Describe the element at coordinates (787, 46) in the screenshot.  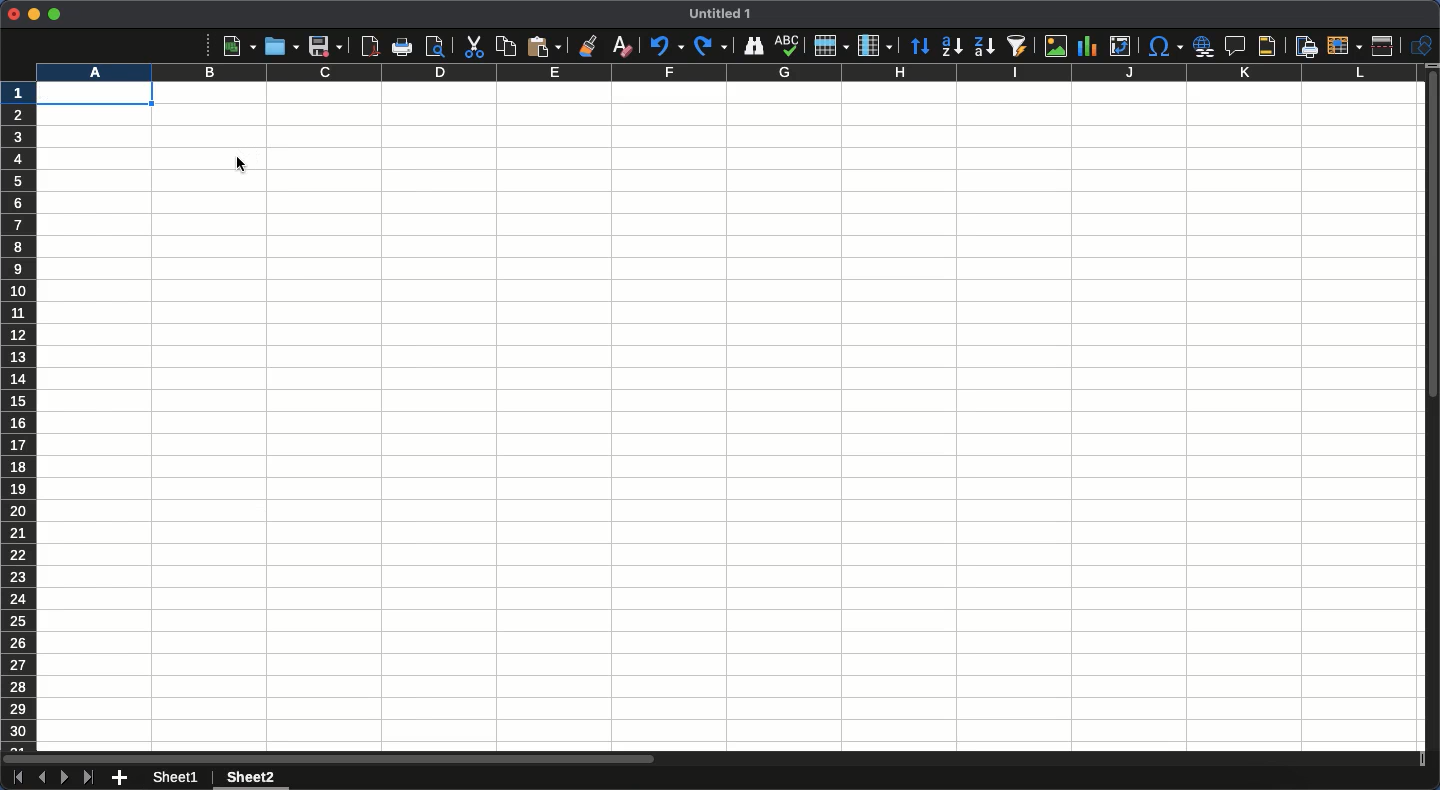
I see `Spelling` at that location.